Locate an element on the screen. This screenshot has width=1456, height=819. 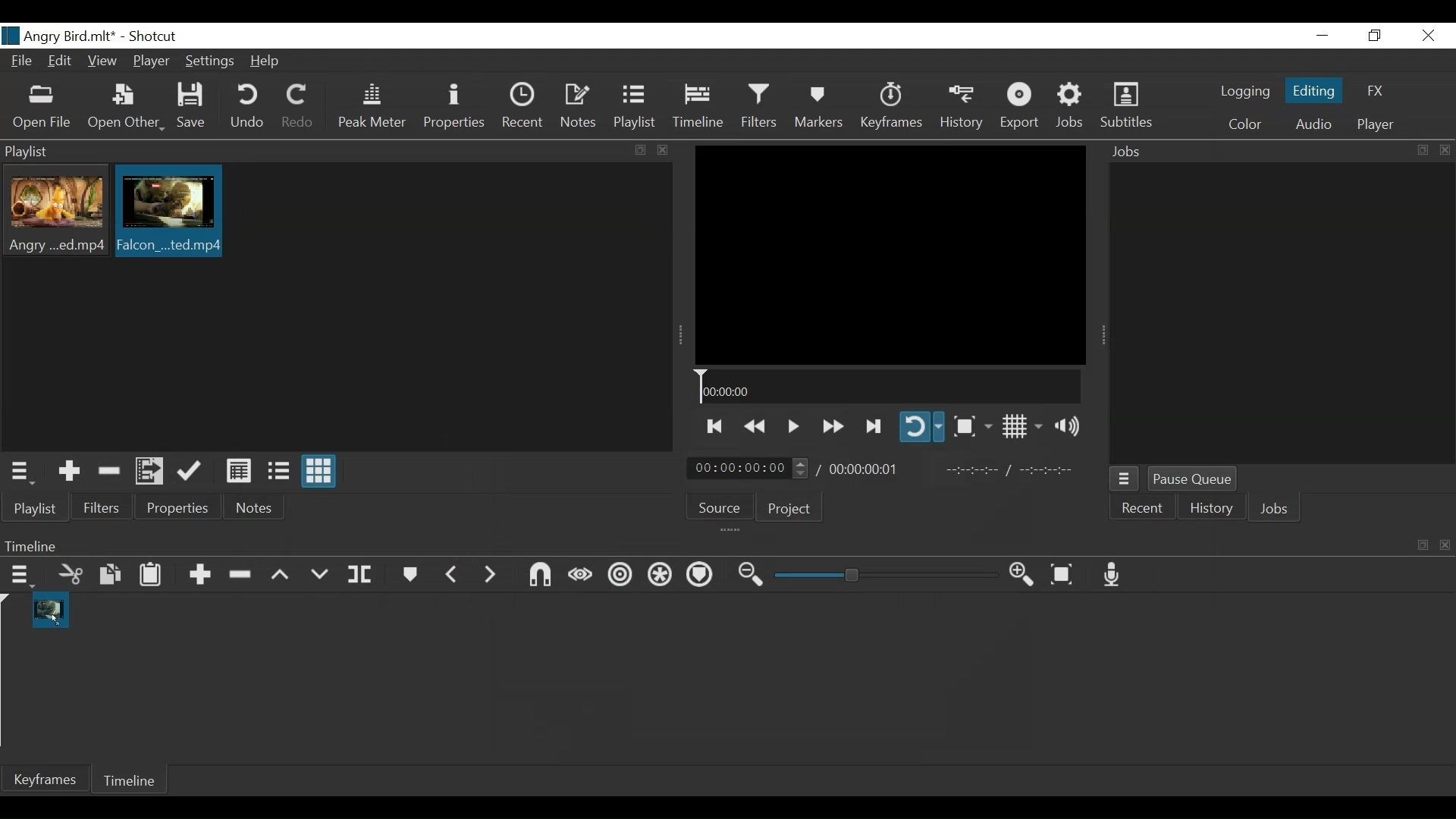
Toggle play or pause (Space) is located at coordinates (791, 428).